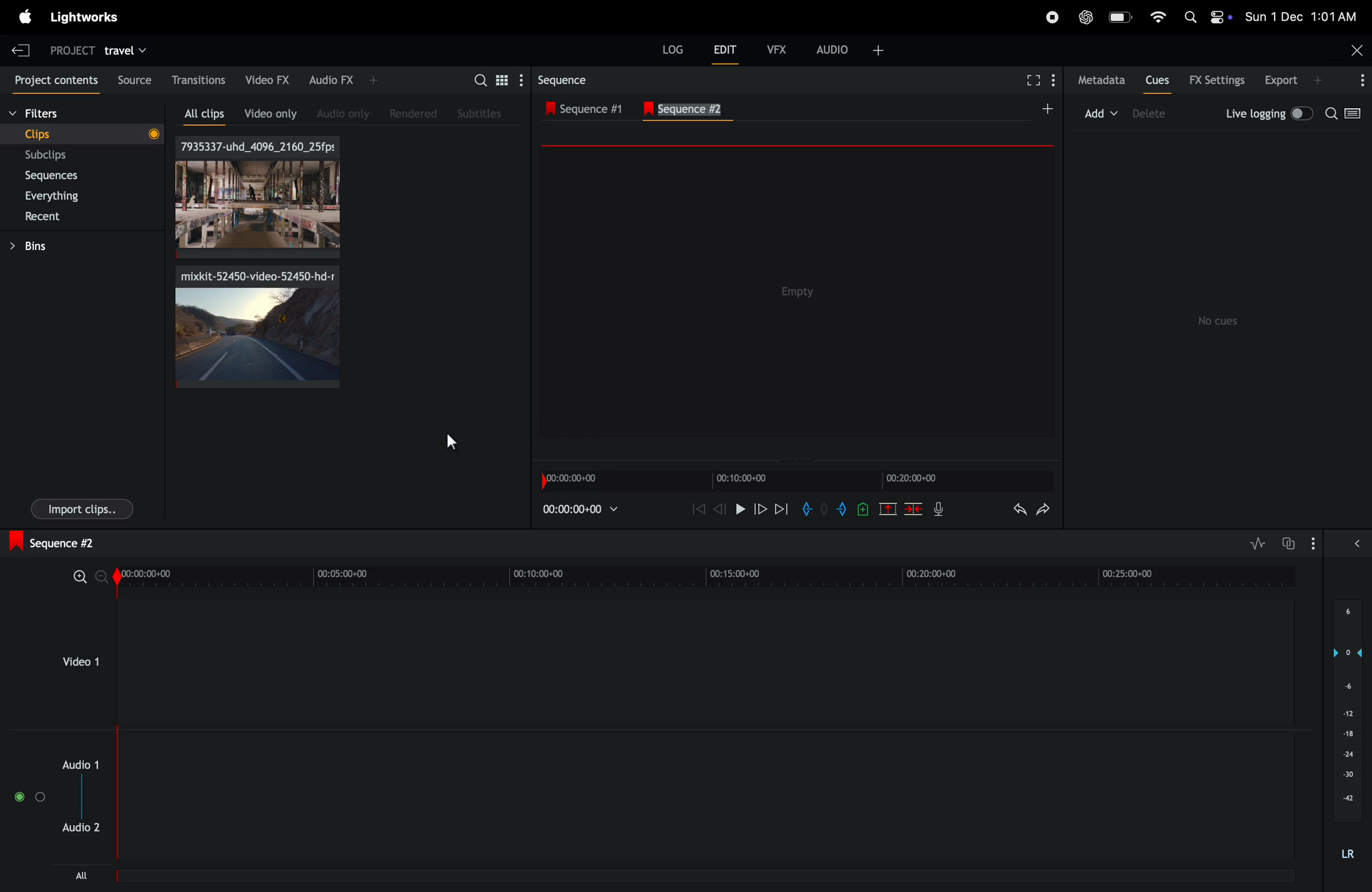 The width and height of the screenshot is (1372, 892). What do you see at coordinates (481, 114) in the screenshot?
I see `subtitles` at bounding box center [481, 114].